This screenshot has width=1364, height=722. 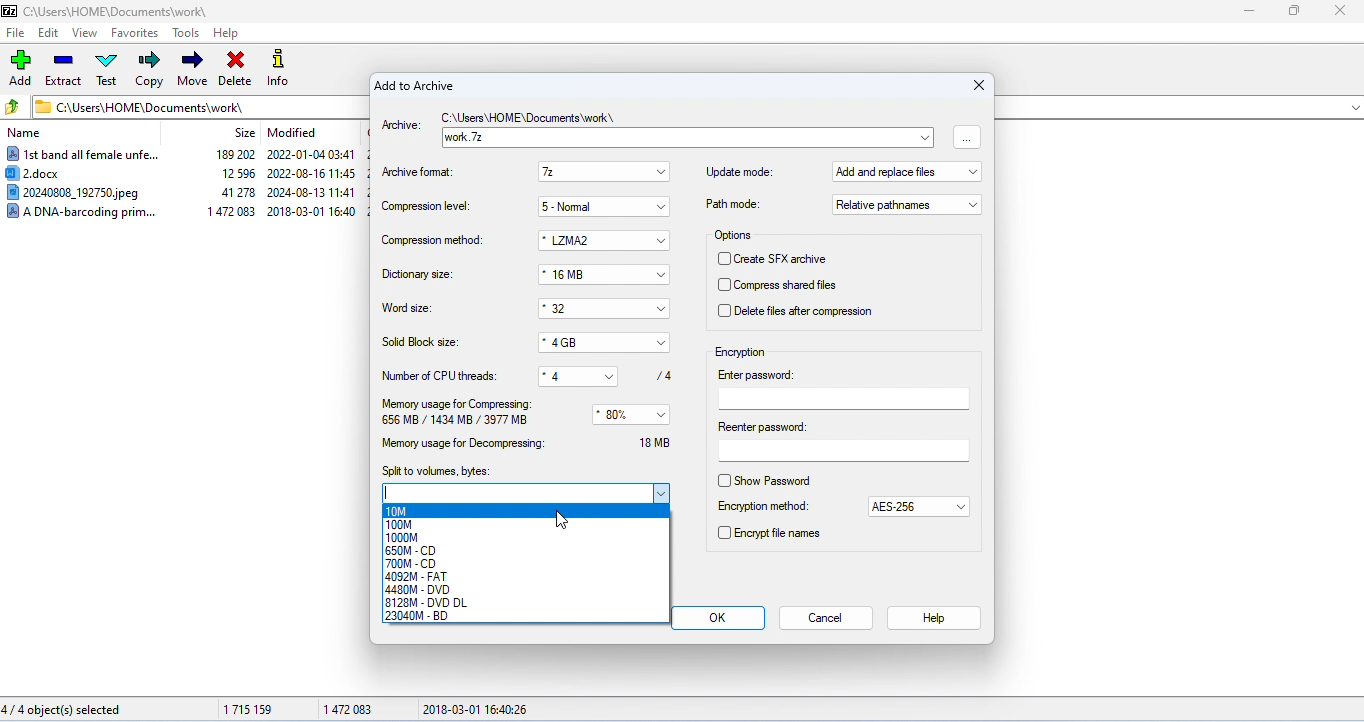 I want to click on 1715159, so click(x=249, y=709).